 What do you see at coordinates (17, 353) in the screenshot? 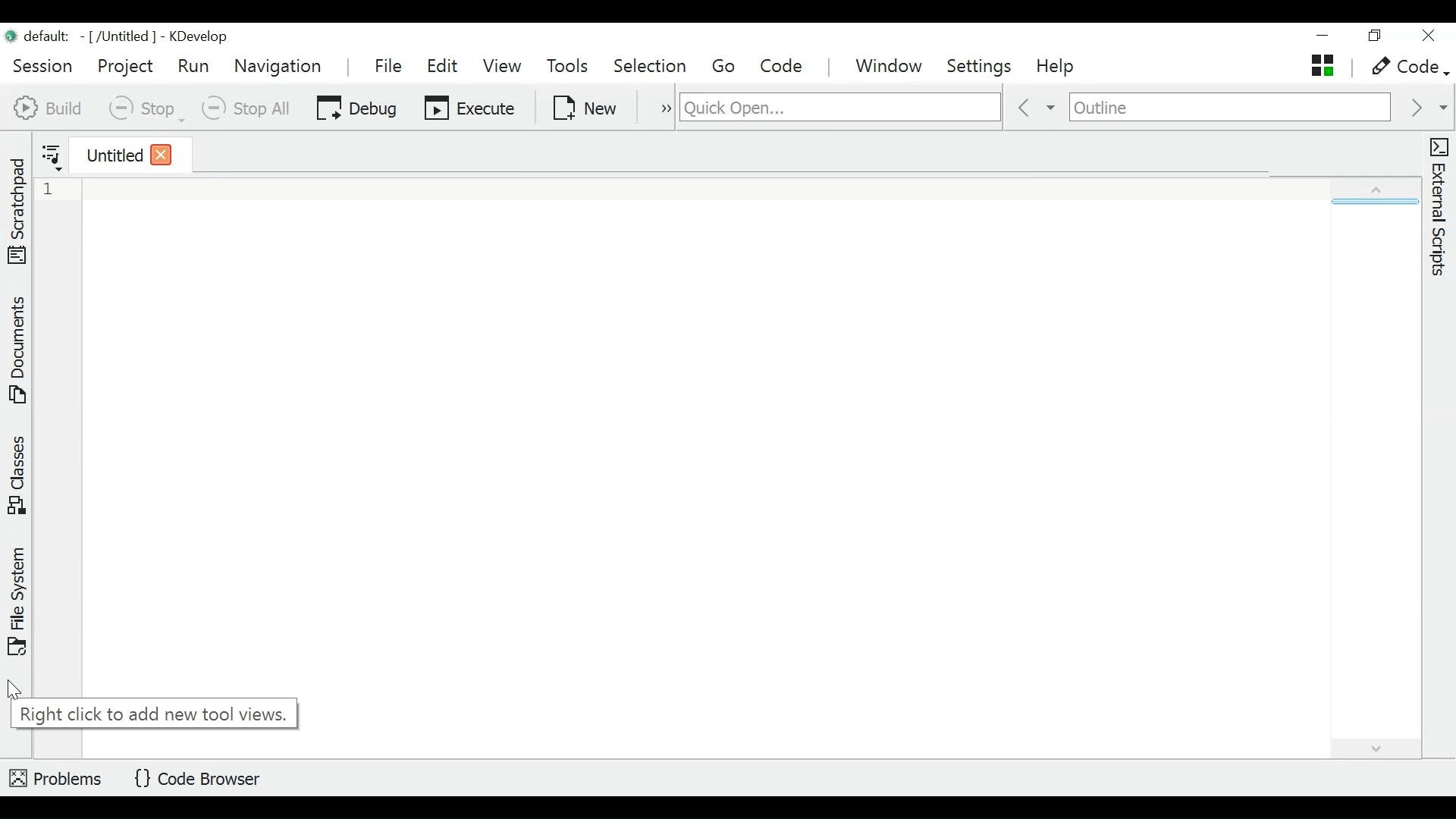
I see `Documents` at bounding box center [17, 353].